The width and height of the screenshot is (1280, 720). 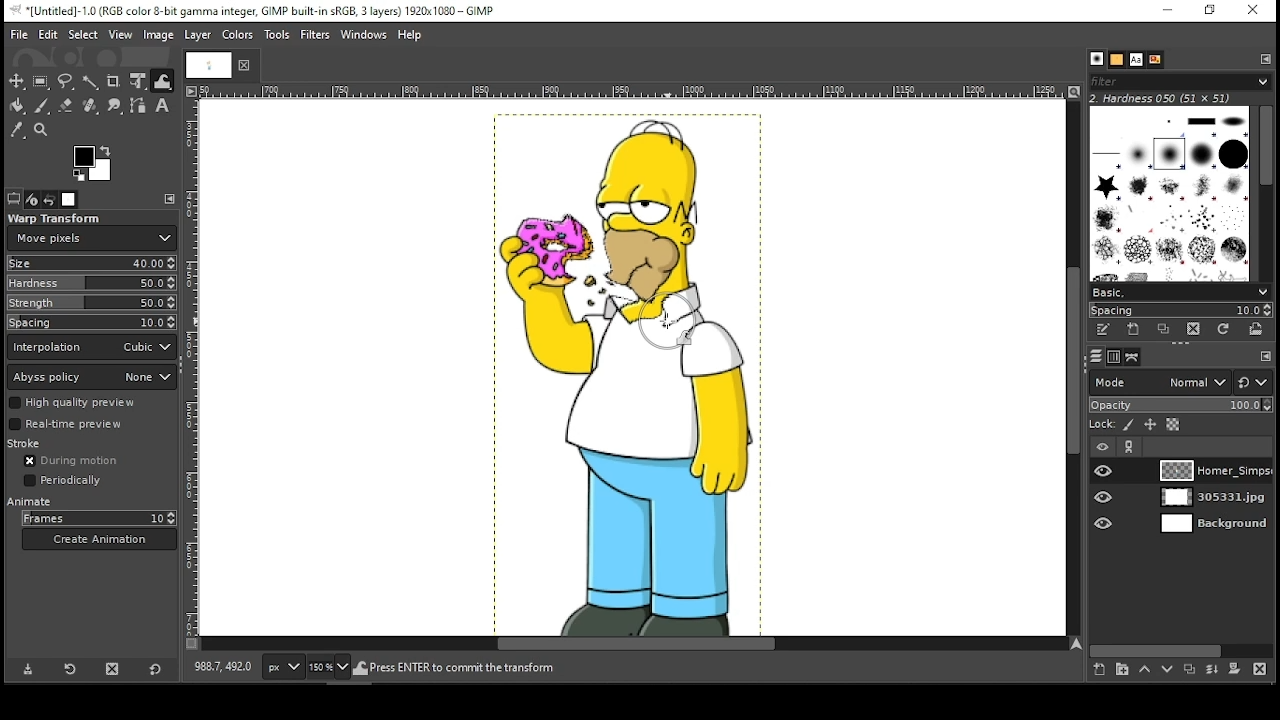 What do you see at coordinates (91, 283) in the screenshot?
I see `hardness` at bounding box center [91, 283].